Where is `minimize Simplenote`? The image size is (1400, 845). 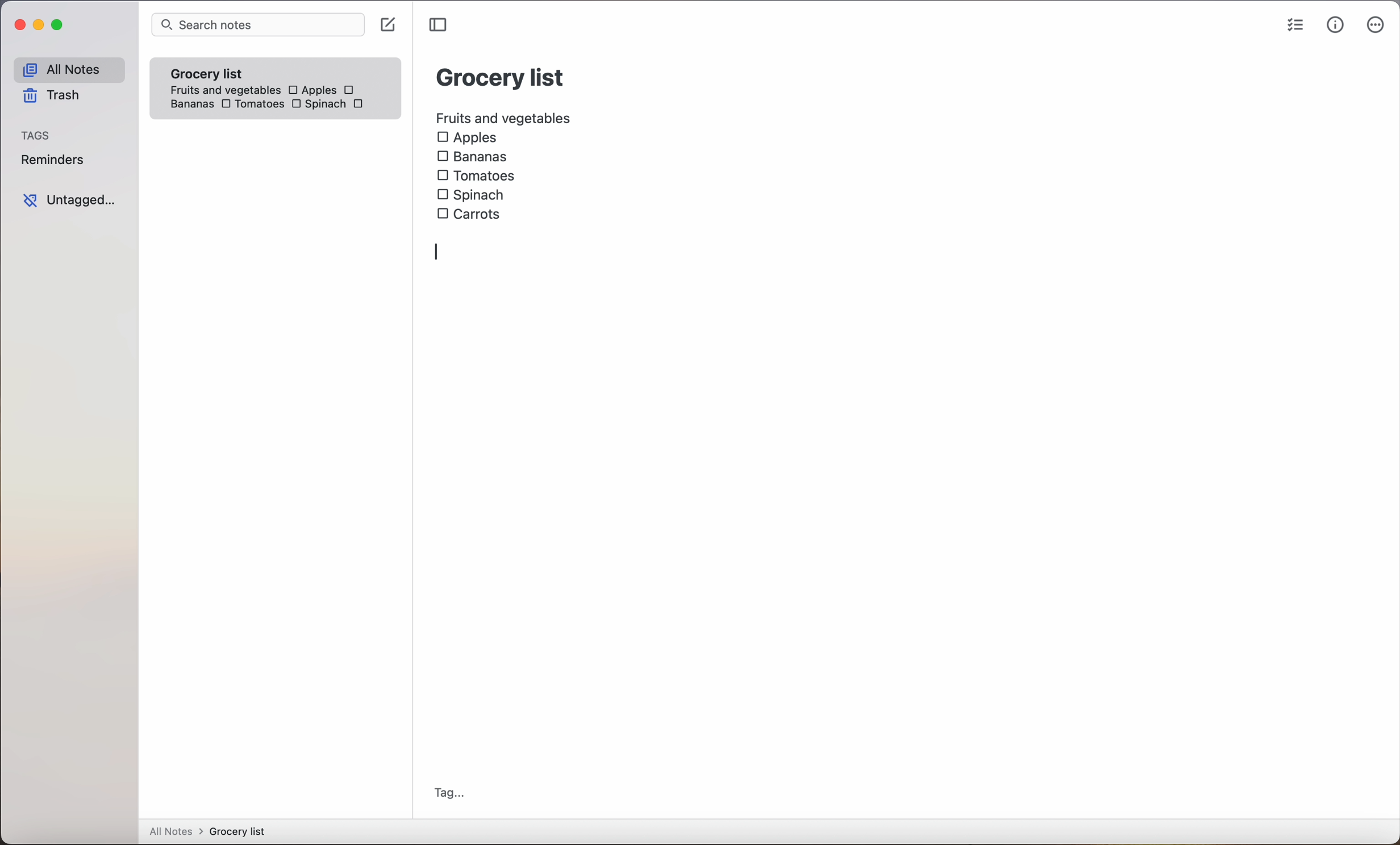
minimize Simplenote is located at coordinates (41, 27).